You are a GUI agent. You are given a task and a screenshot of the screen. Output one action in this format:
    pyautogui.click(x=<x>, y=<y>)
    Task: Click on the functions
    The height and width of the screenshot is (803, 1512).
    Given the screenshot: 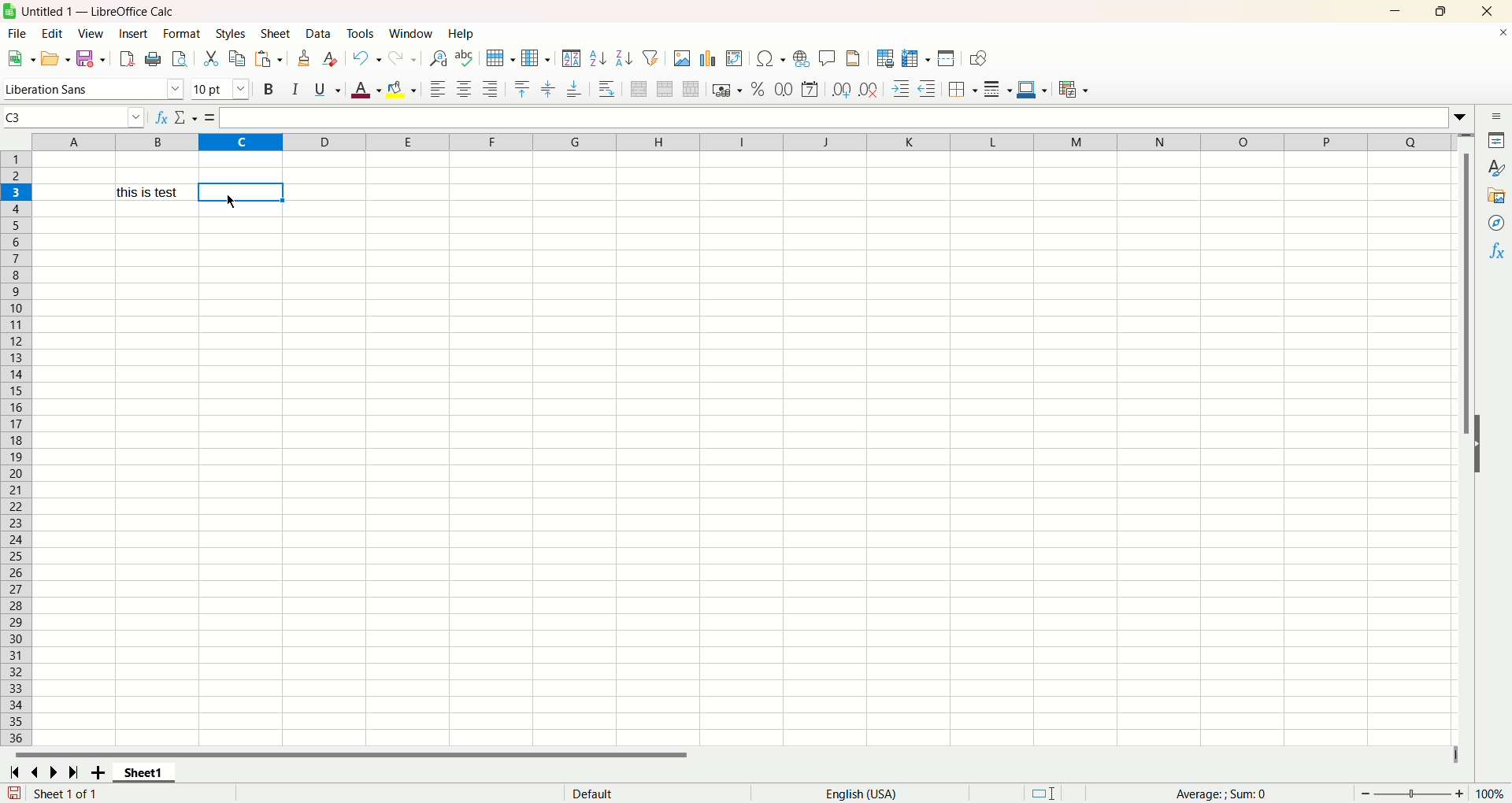 What is the action you would take?
    pyautogui.click(x=1496, y=250)
    